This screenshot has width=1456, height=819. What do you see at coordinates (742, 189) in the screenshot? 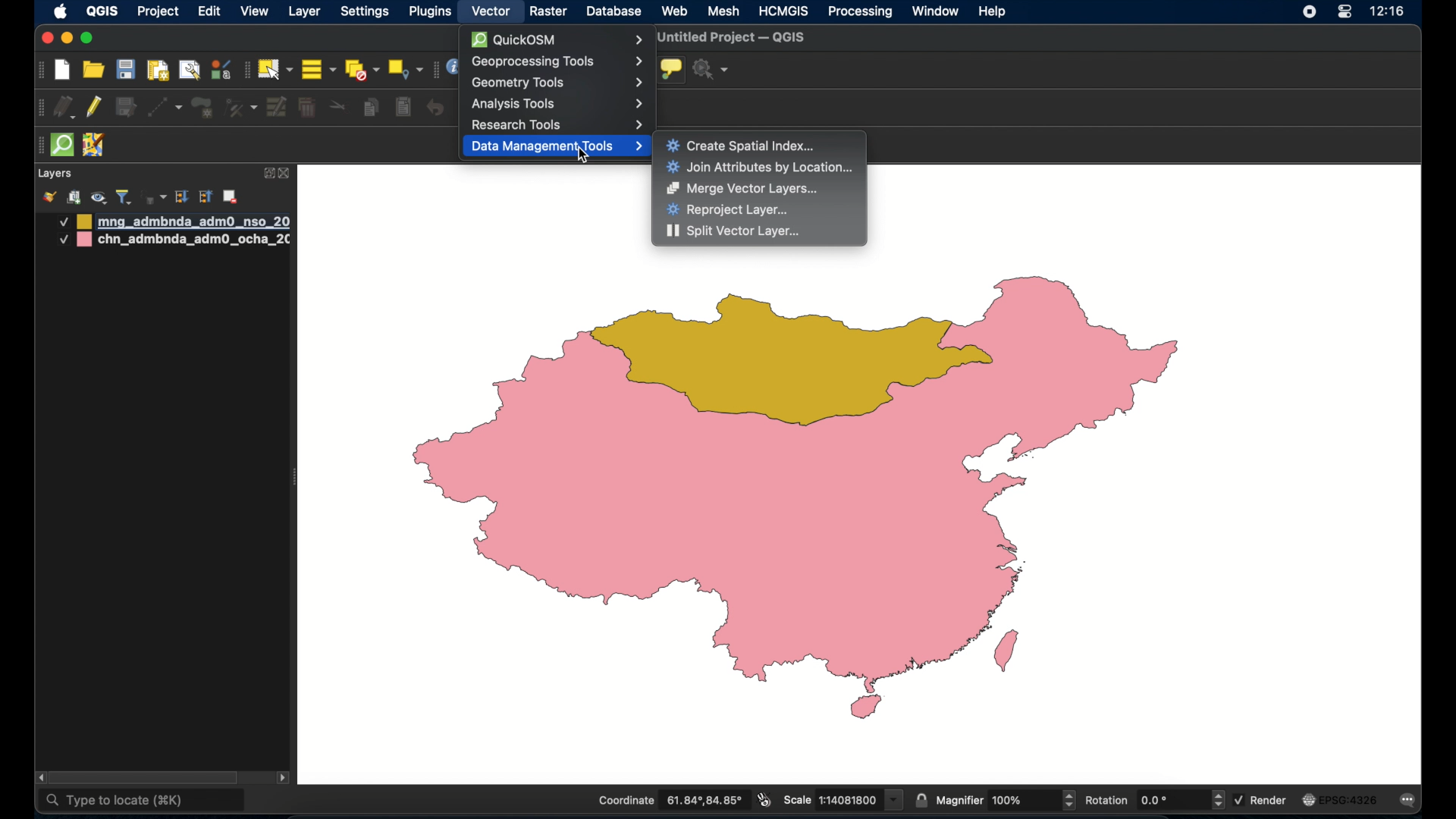
I see `merge vector layers` at bounding box center [742, 189].